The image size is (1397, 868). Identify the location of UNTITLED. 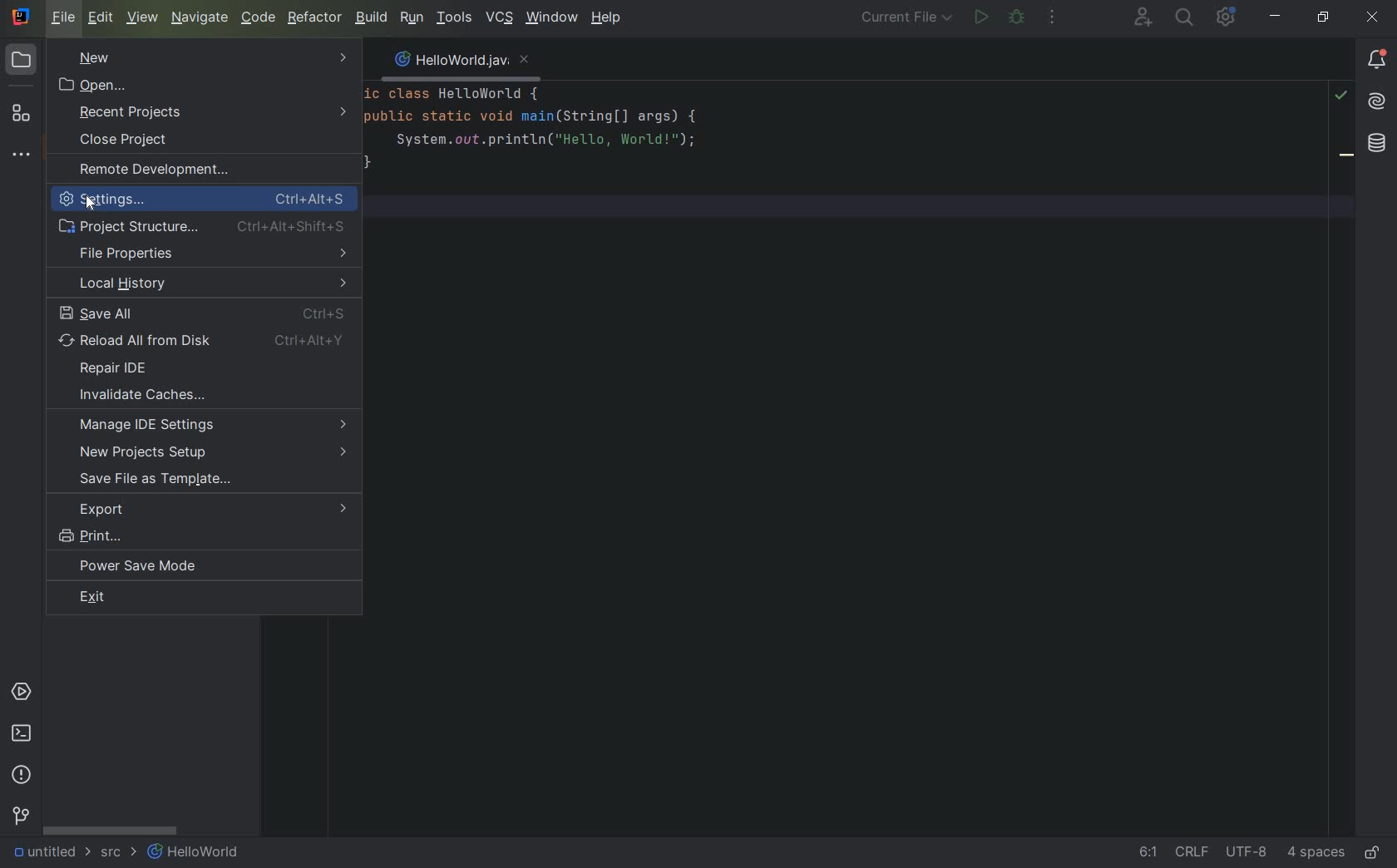
(51, 853).